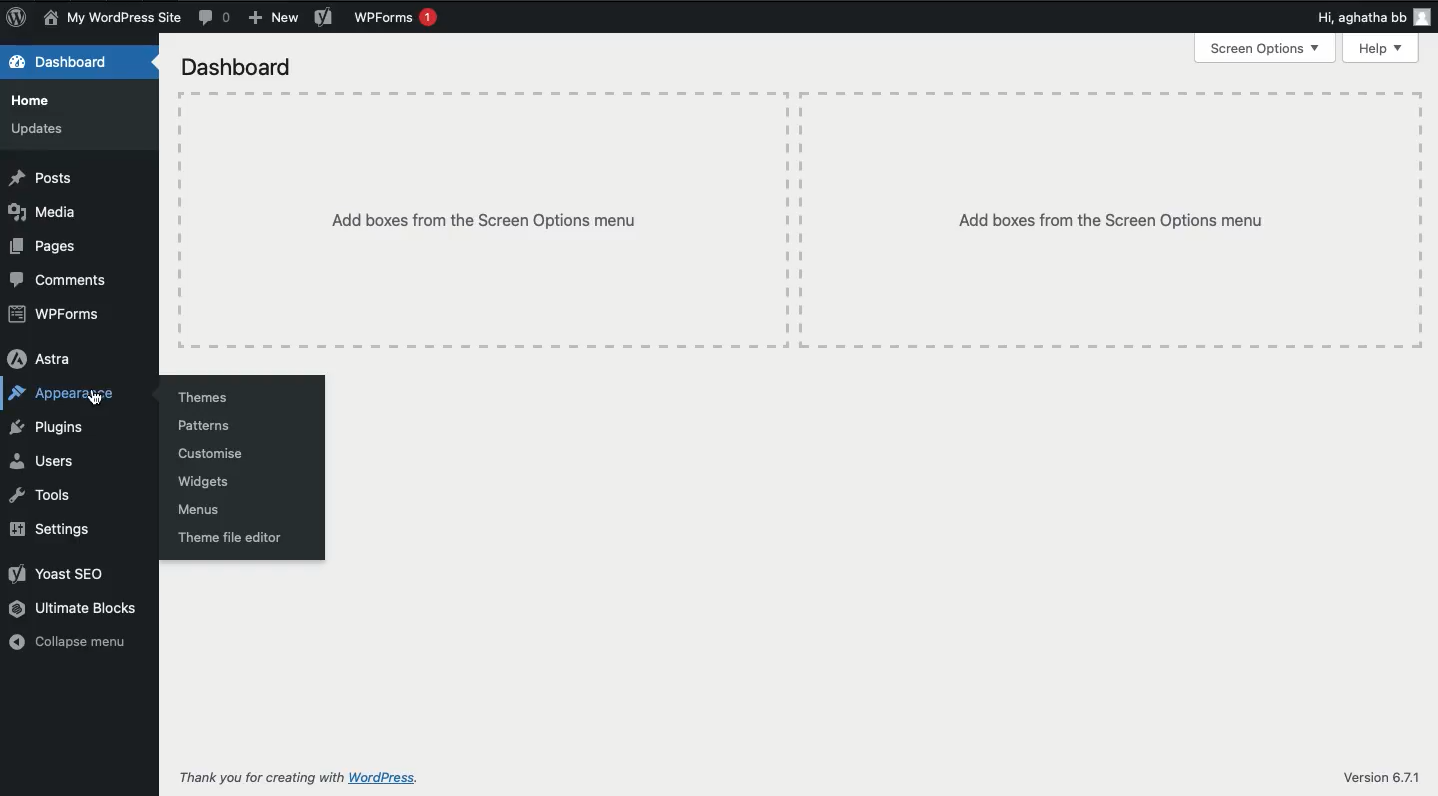  What do you see at coordinates (65, 281) in the screenshot?
I see `Comments` at bounding box center [65, 281].